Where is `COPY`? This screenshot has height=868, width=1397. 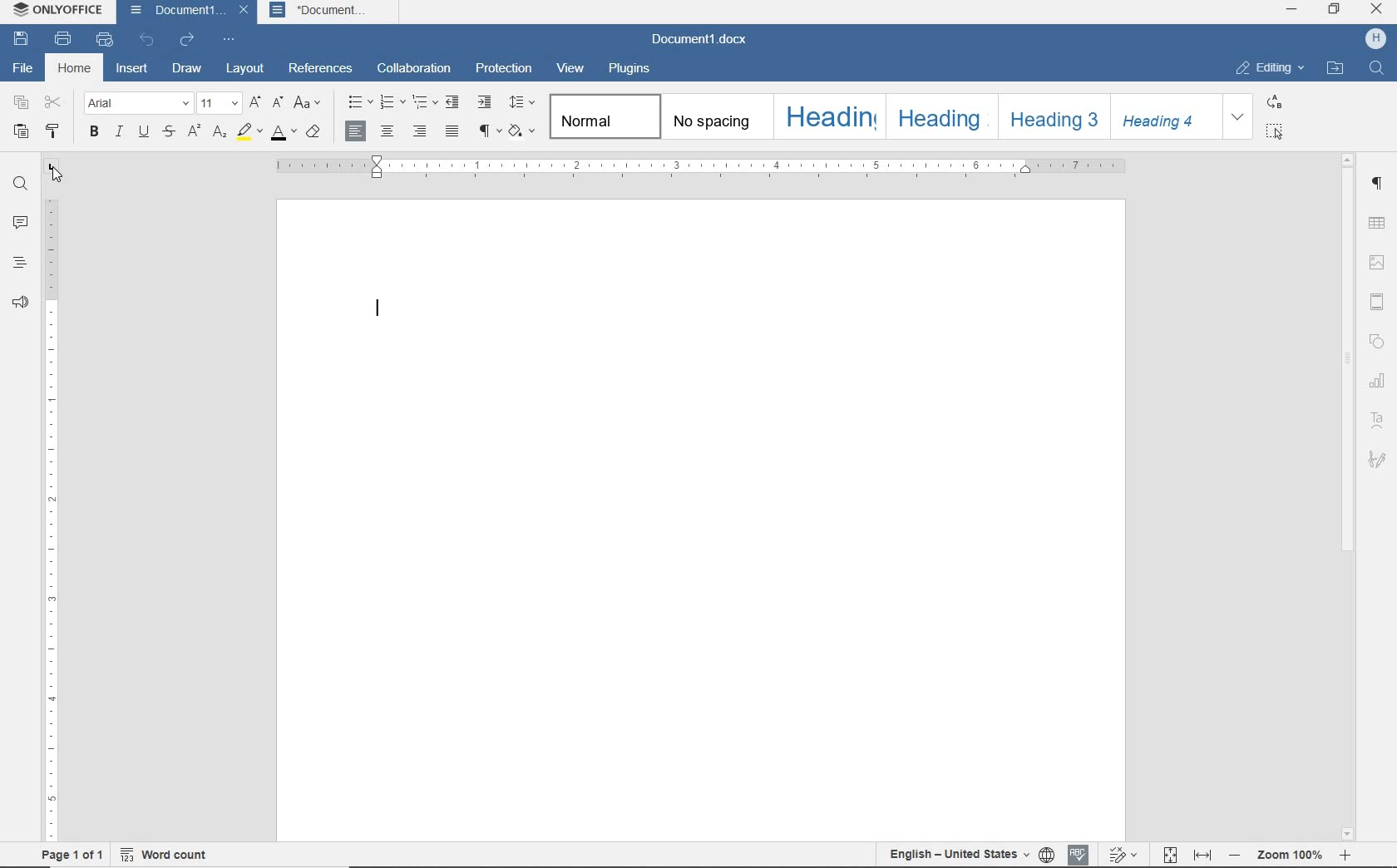 COPY is located at coordinates (22, 102).